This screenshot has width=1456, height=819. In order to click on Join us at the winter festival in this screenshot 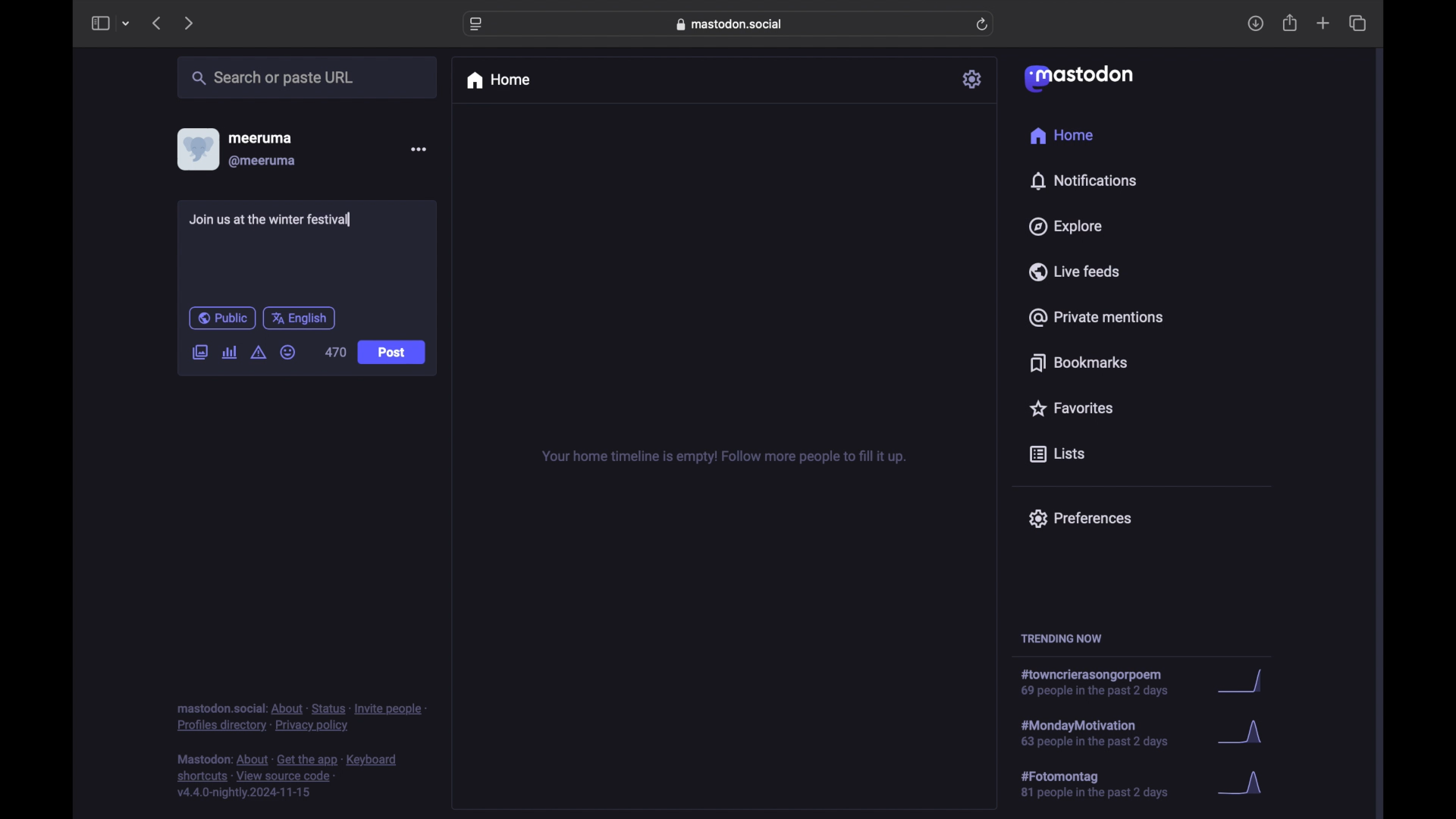, I will do `click(271, 221)`.